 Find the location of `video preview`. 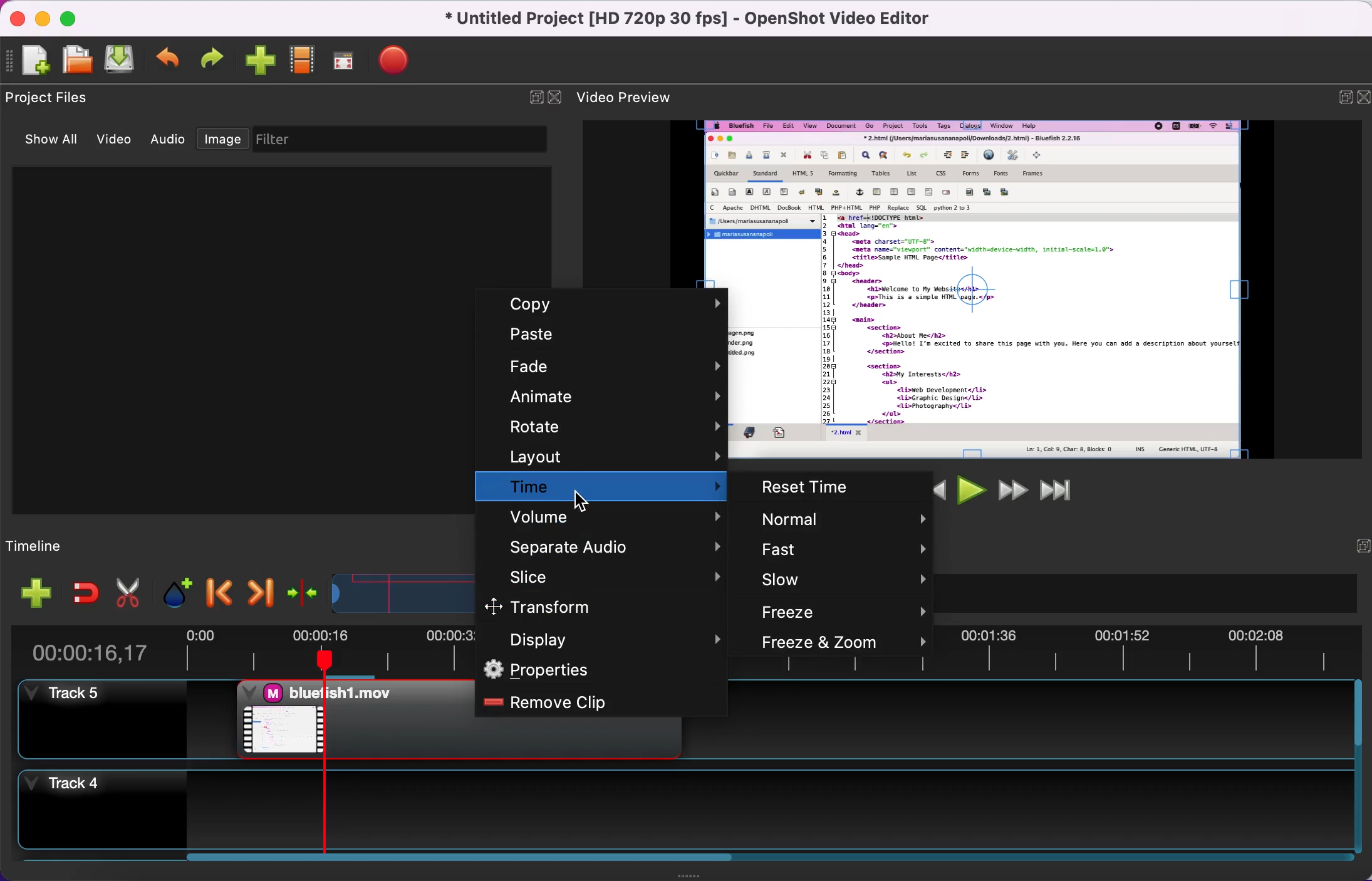

video preview is located at coordinates (1046, 289).